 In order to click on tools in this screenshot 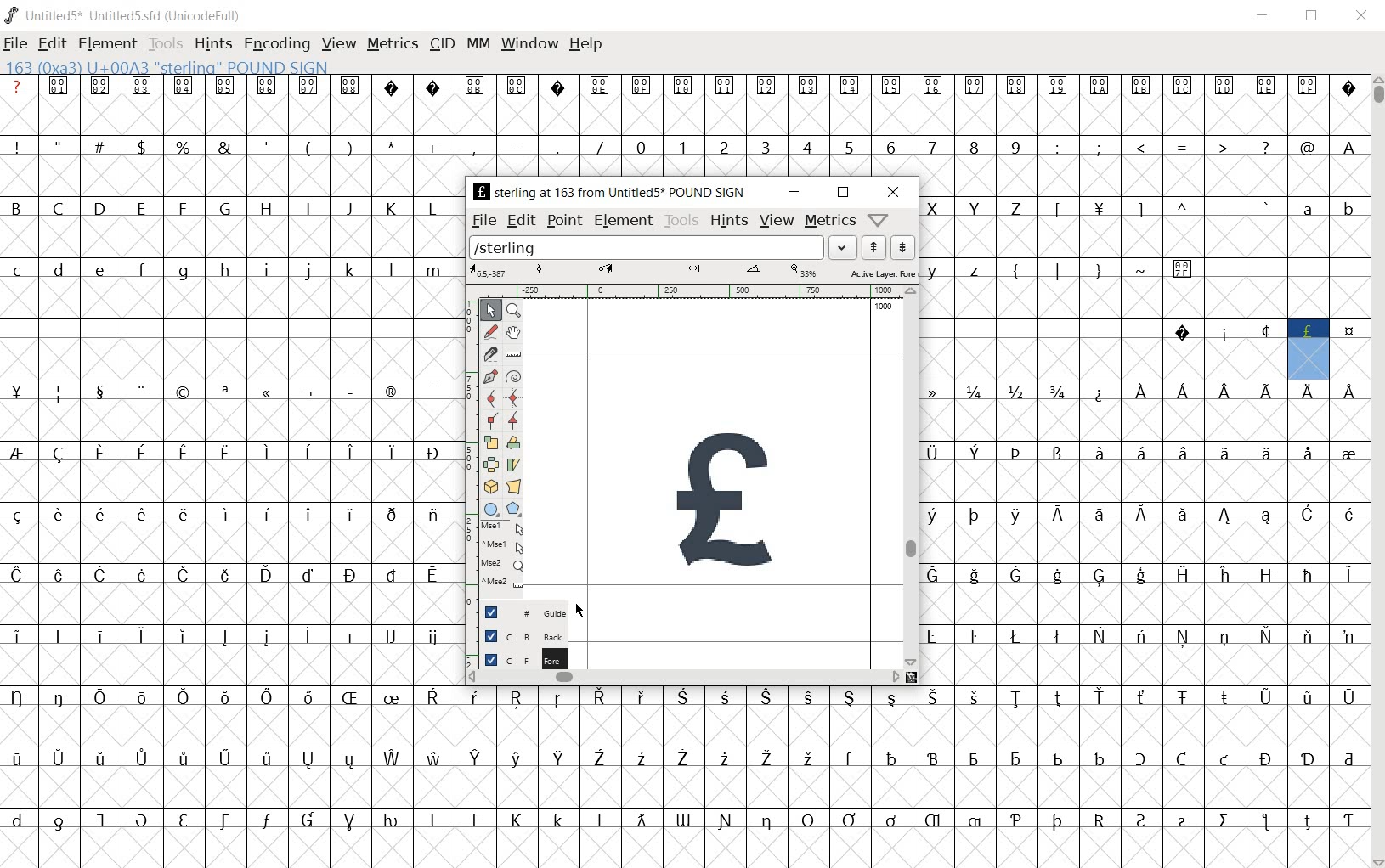, I will do `click(681, 220)`.